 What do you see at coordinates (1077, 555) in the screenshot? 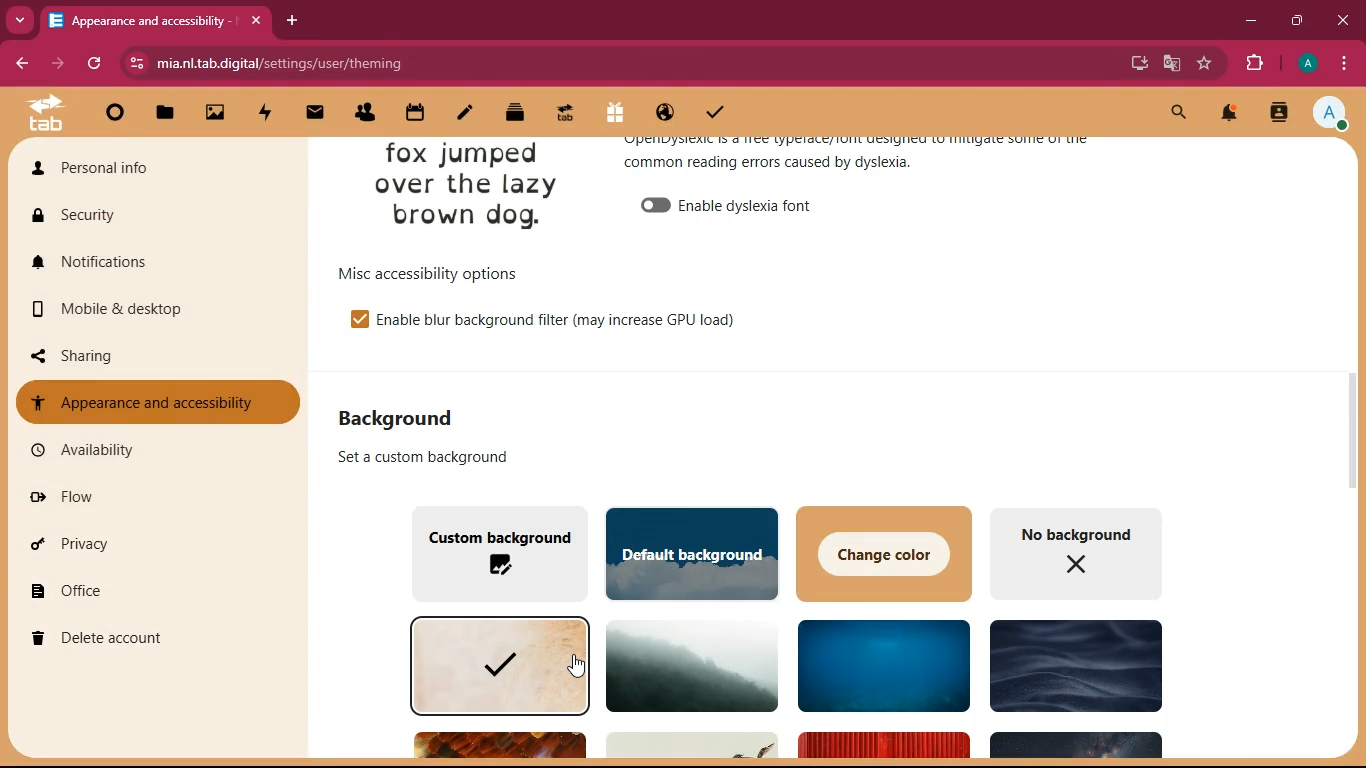
I see `no` at bounding box center [1077, 555].